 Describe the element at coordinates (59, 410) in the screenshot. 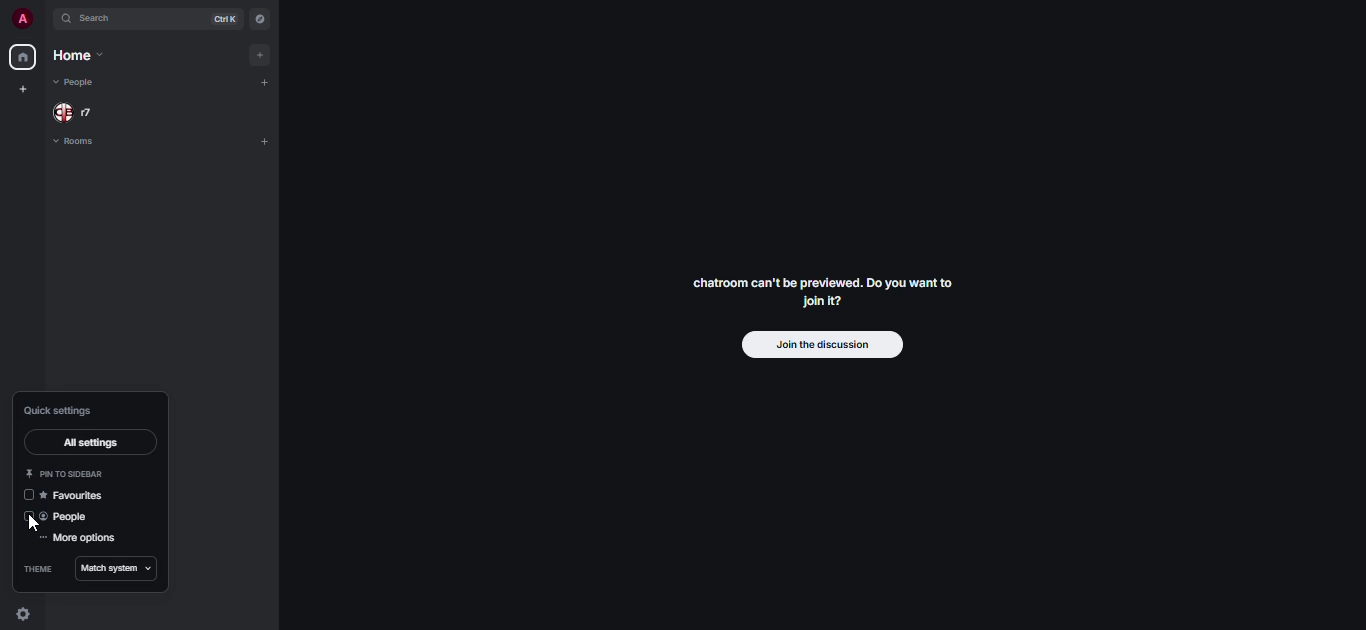

I see `quick settings` at that location.